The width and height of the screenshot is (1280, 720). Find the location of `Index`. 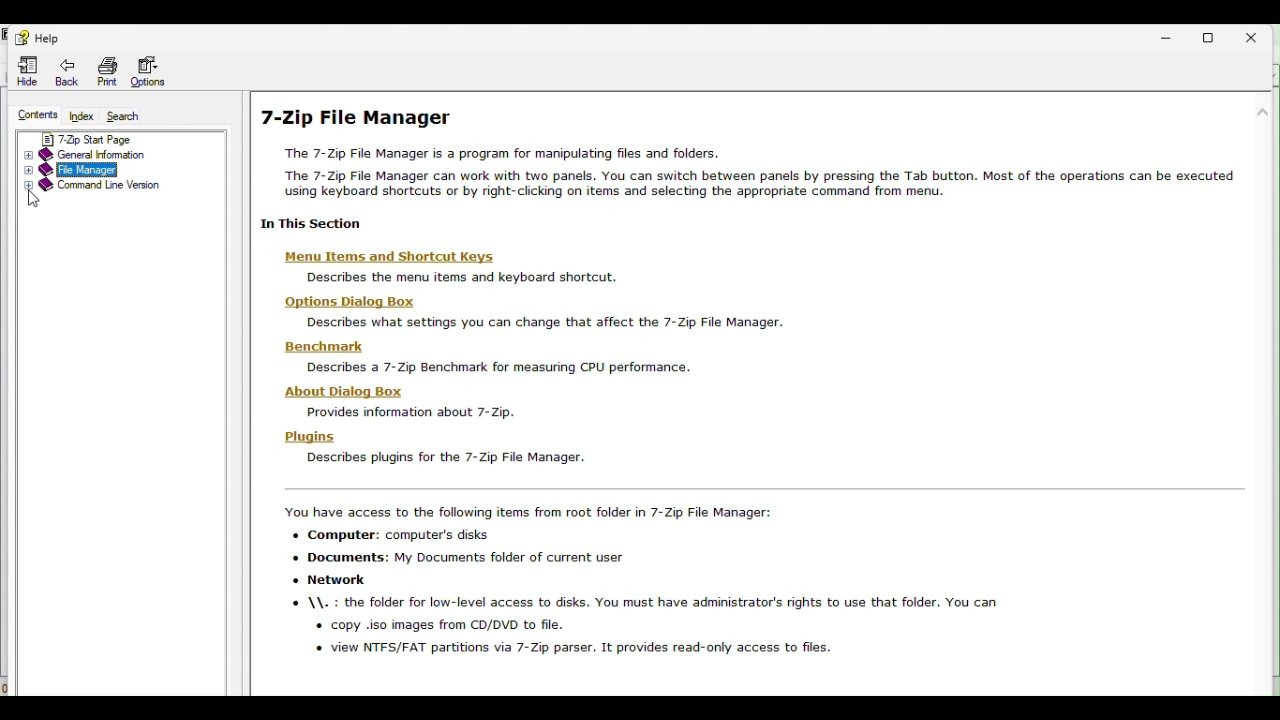

Index is located at coordinates (79, 116).